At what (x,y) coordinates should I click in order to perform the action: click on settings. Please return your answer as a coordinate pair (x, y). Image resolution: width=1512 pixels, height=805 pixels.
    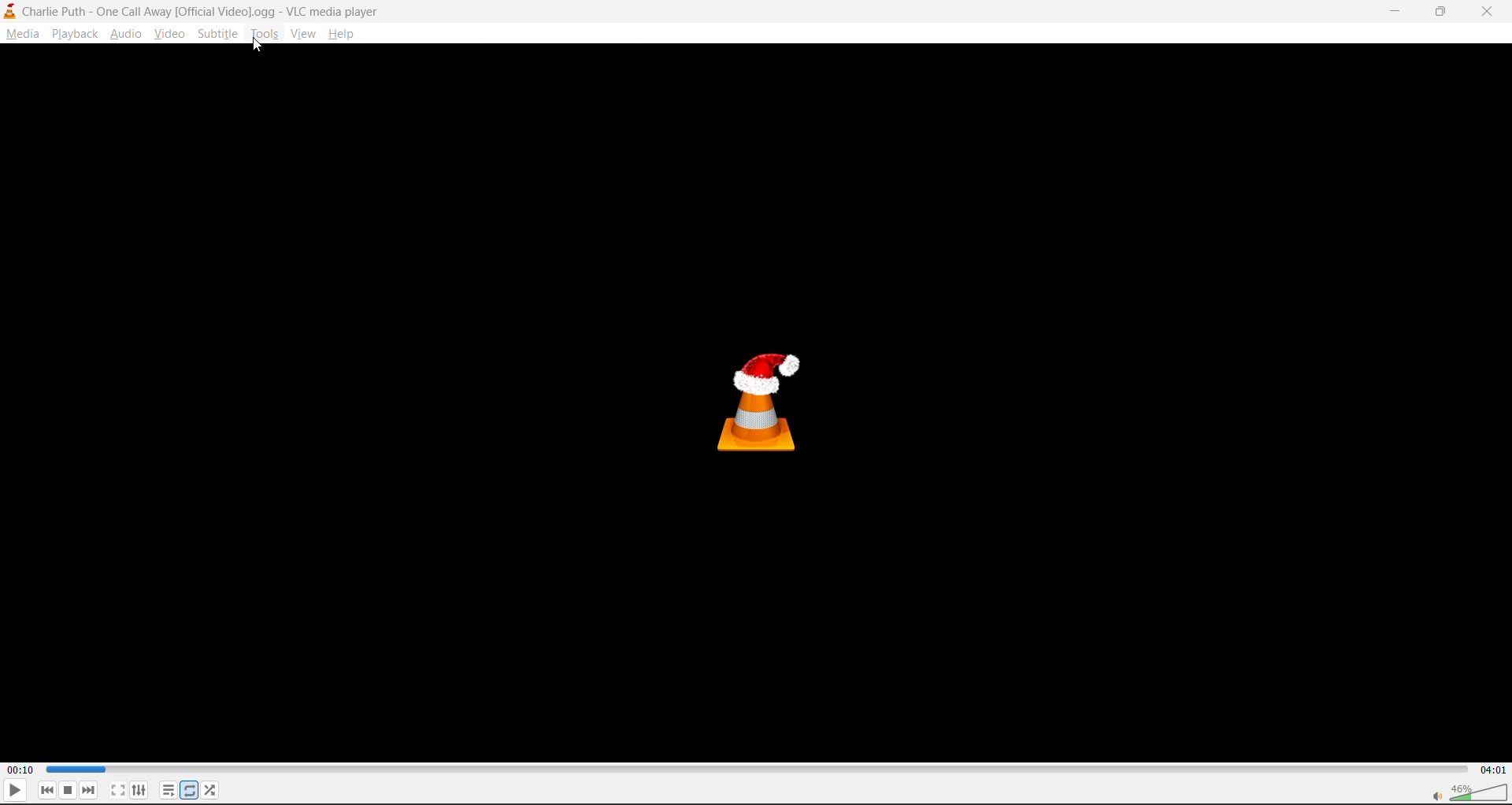
    Looking at the image, I should click on (141, 788).